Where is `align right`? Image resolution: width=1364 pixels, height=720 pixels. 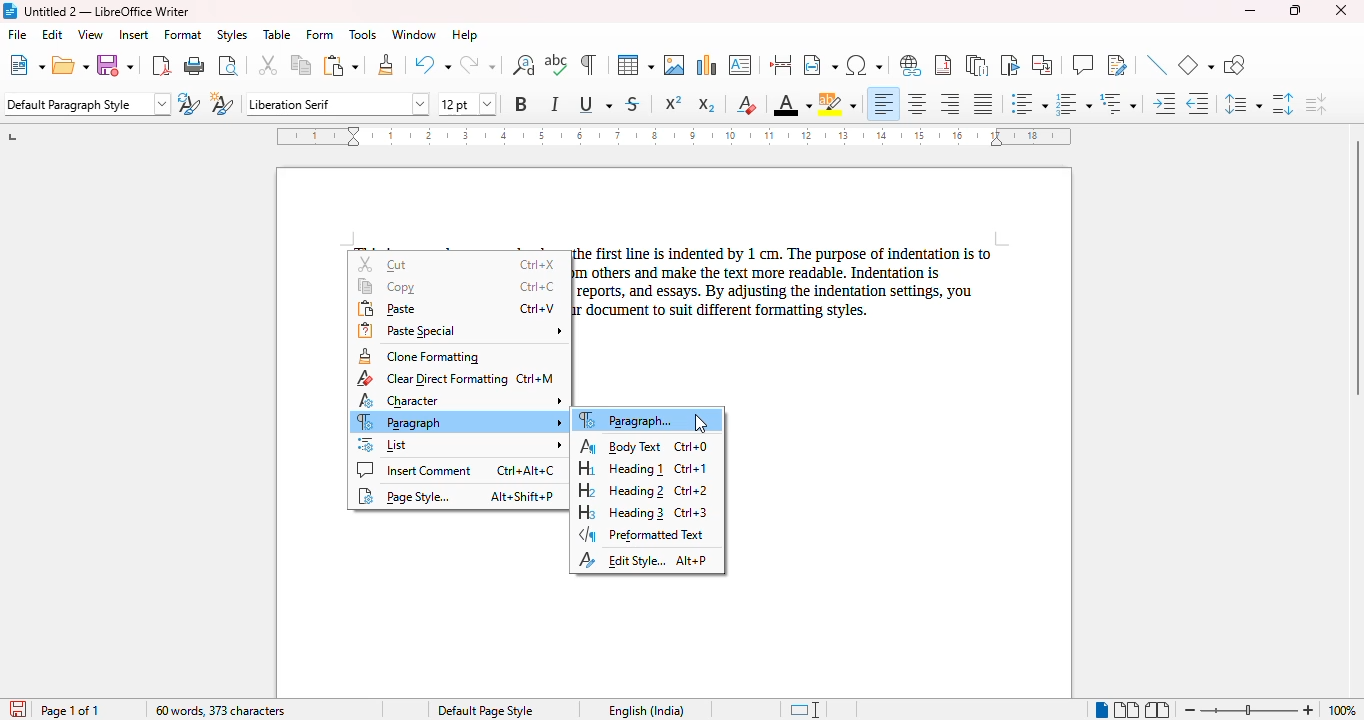 align right is located at coordinates (949, 103).